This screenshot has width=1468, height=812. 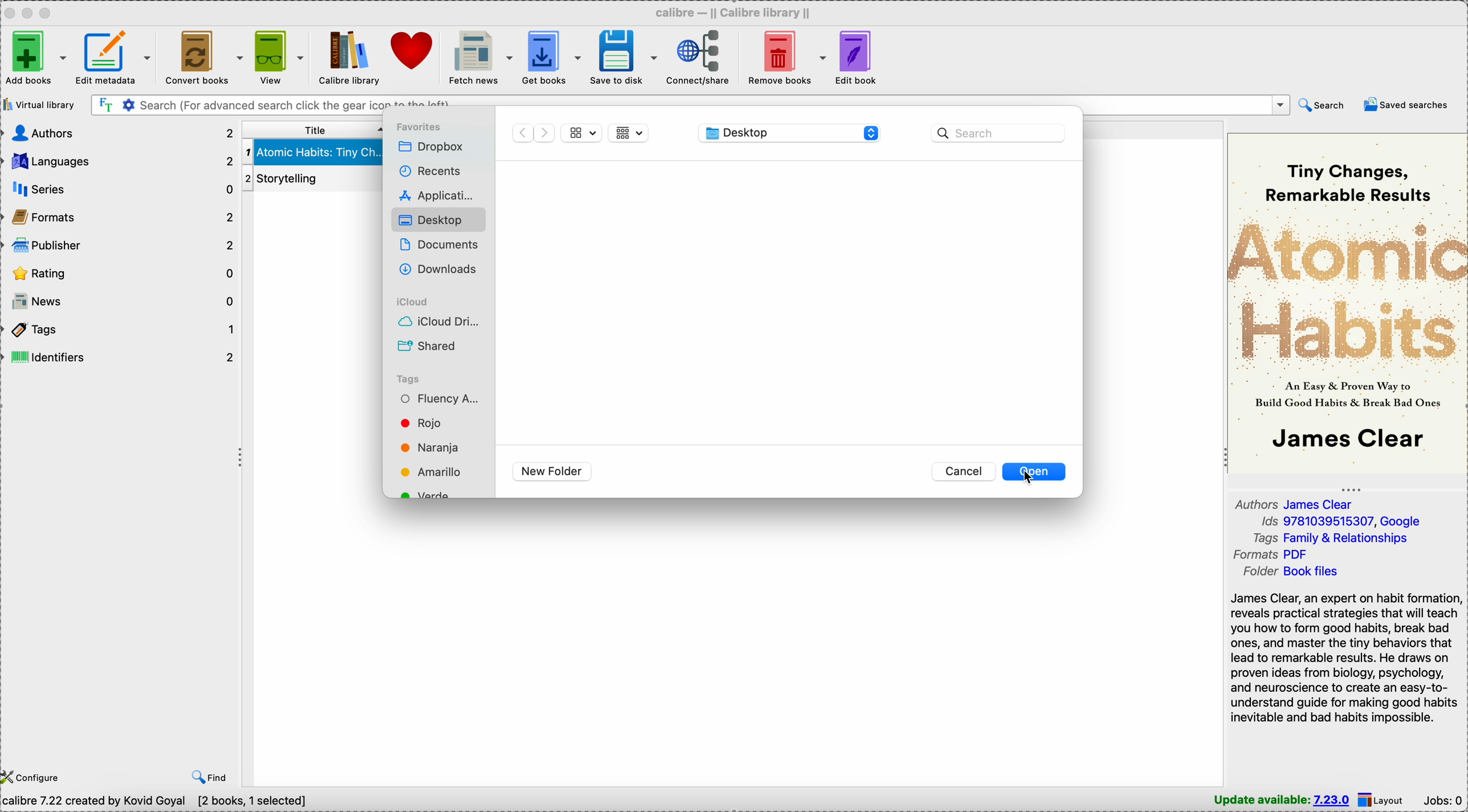 What do you see at coordinates (121, 302) in the screenshot?
I see `news` at bounding box center [121, 302].